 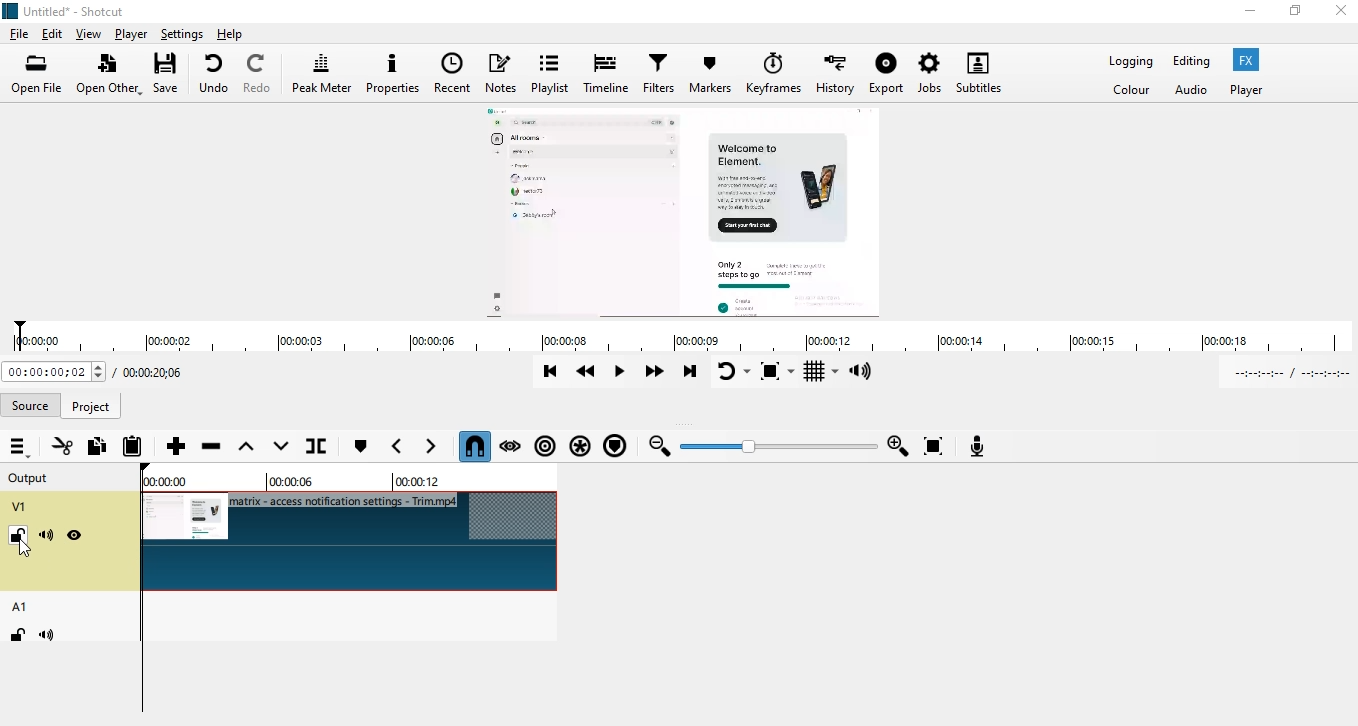 What do you see at coordinates (353, 540) in the screenshot?
I see `video track` at bounding box center [353, 540].